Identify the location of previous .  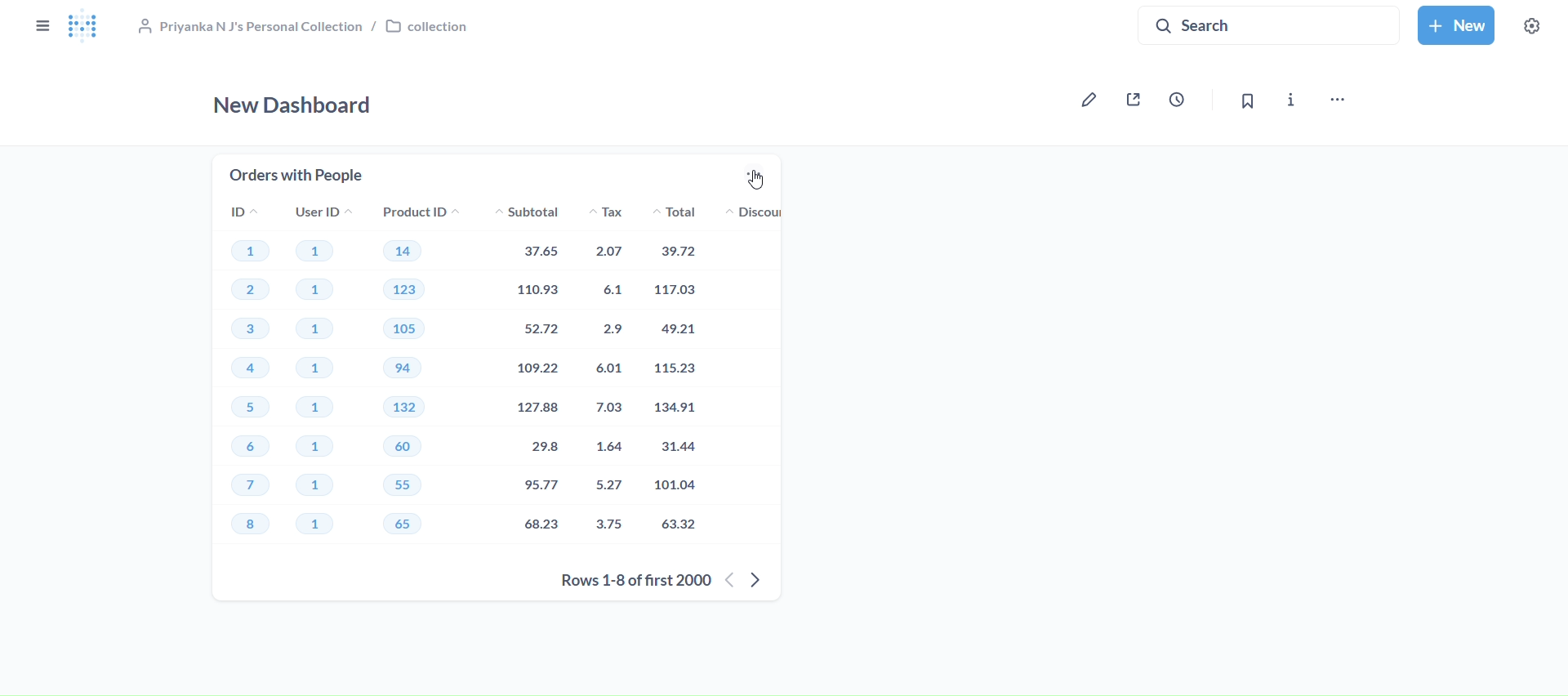
(731, 580).